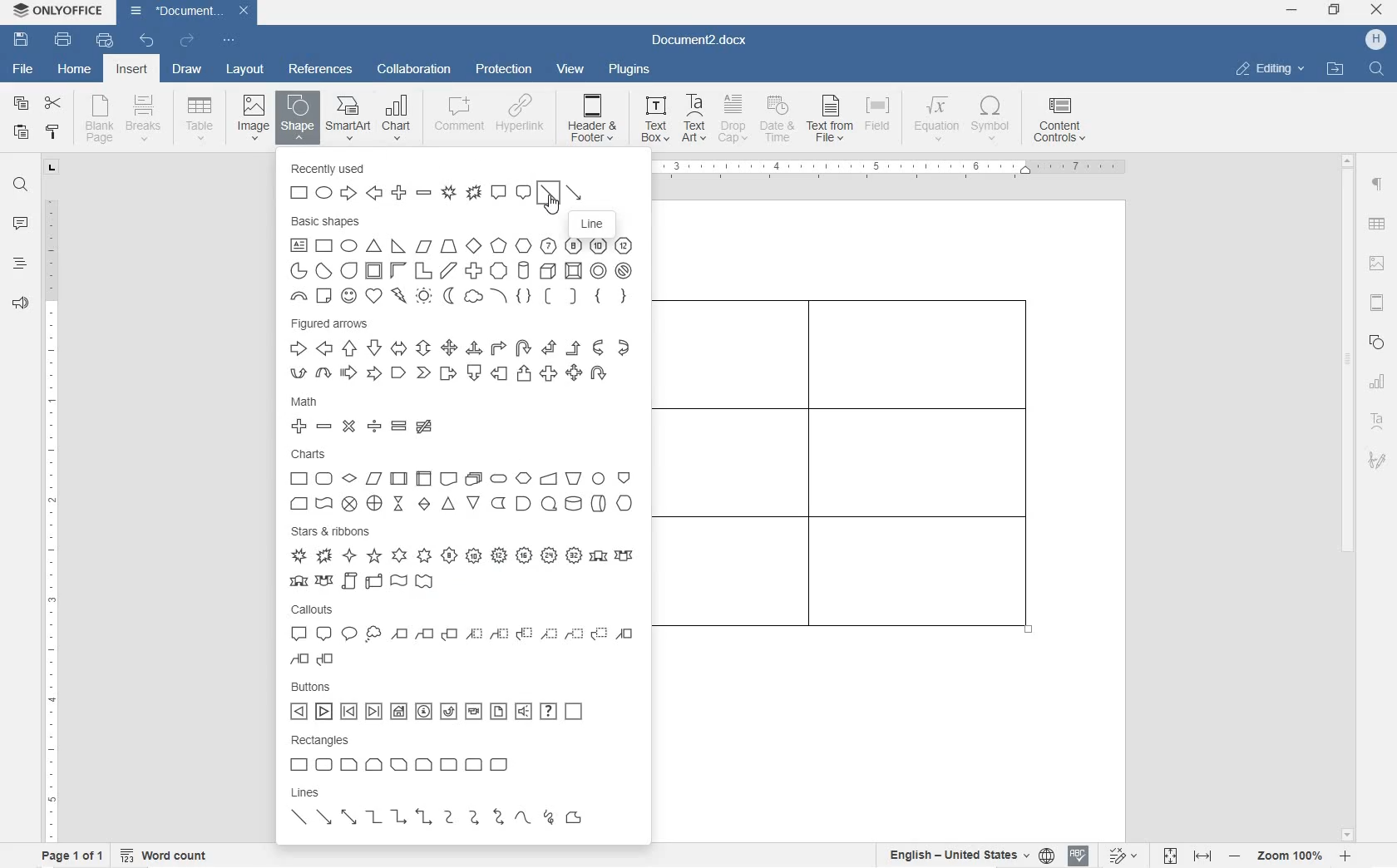 This screenshot has width=1397, height=868. I want to click on SmartArt, so click(348, 118).